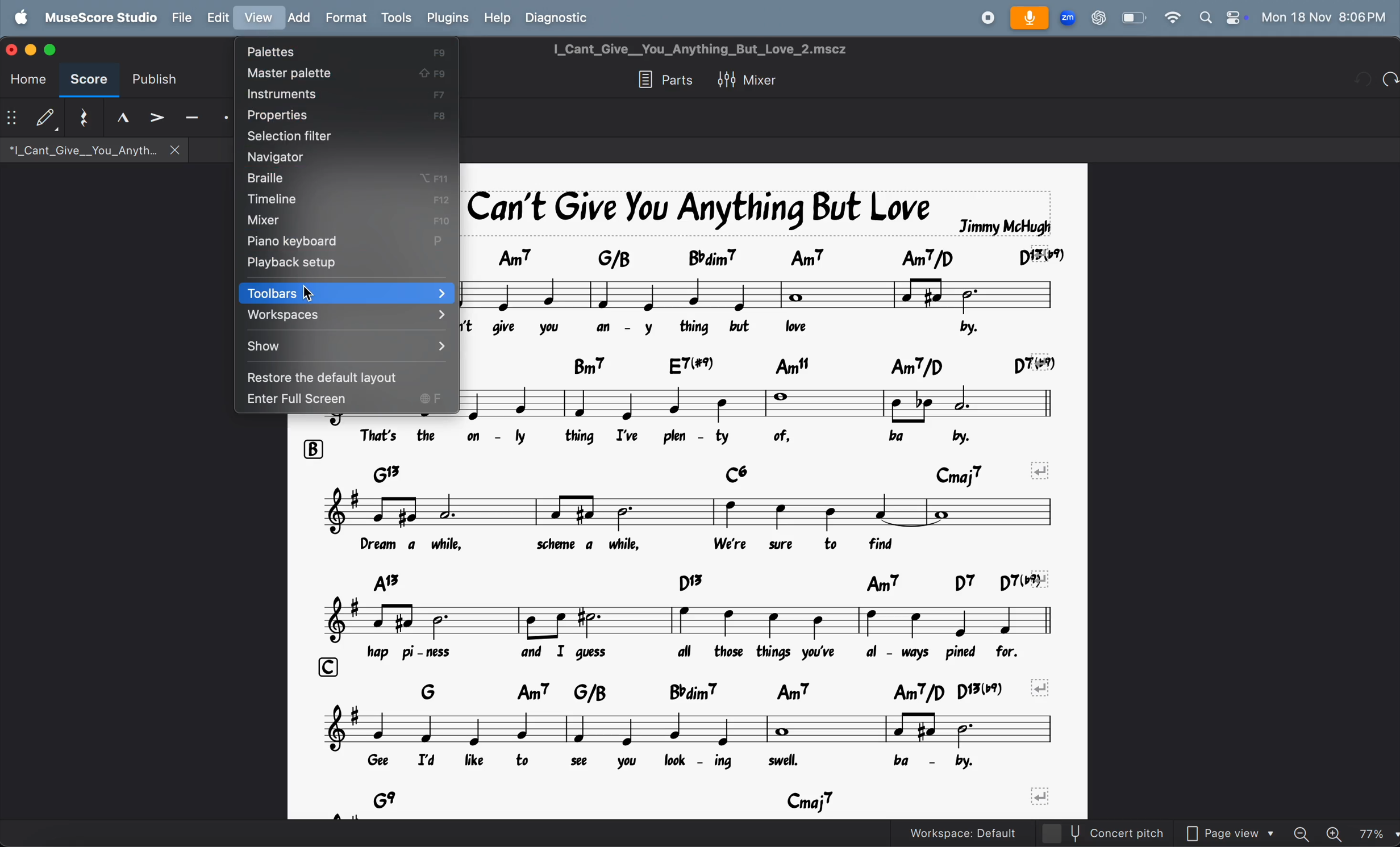  What do you see at coordinates (717, 689) in the screenshot?
I see `chord symbols` at bounding box center [717, 689].